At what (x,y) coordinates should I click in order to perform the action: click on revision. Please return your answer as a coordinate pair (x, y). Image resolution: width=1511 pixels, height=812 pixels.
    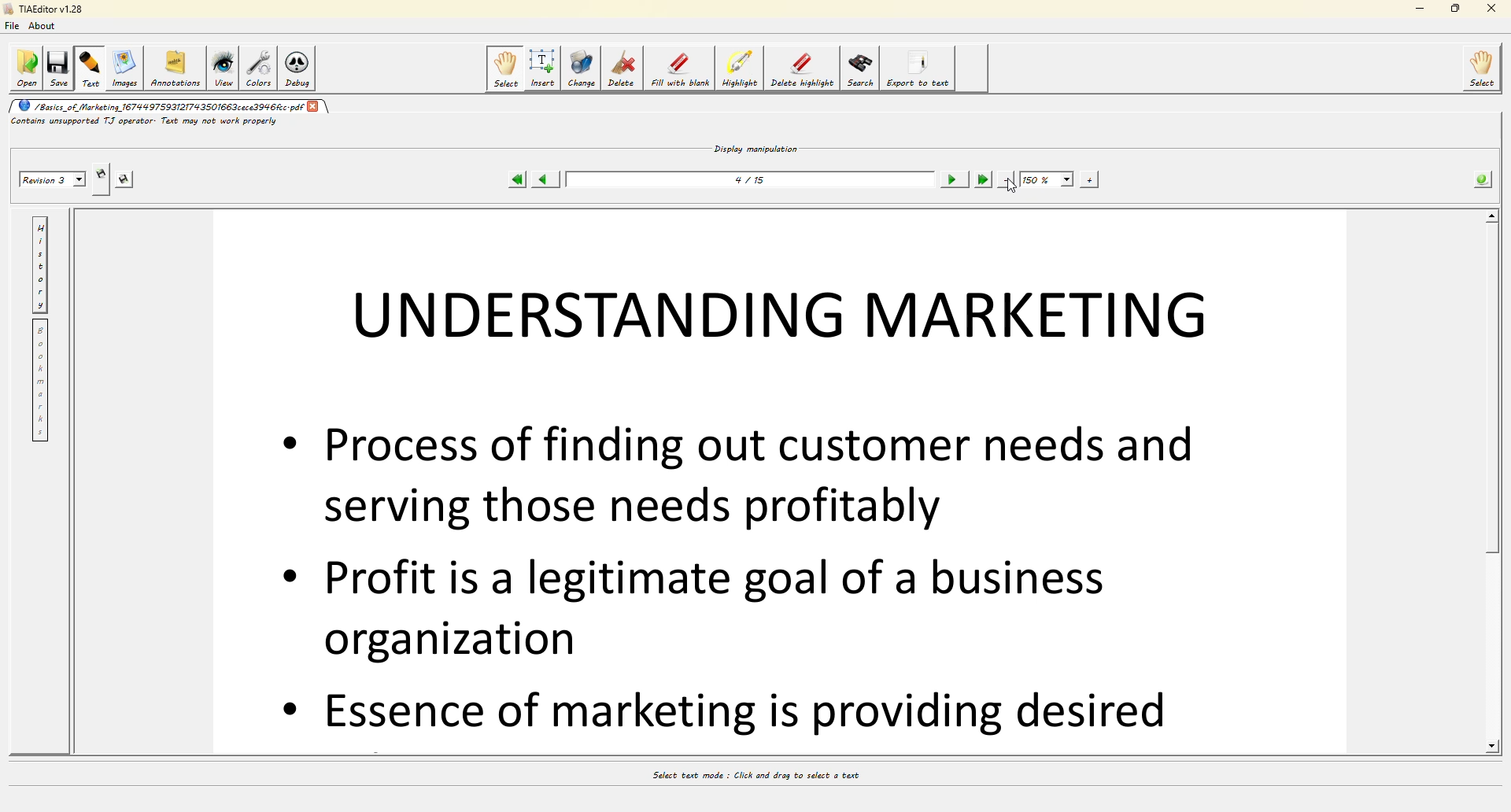
    Looking at the image, I should click on (54, 178).